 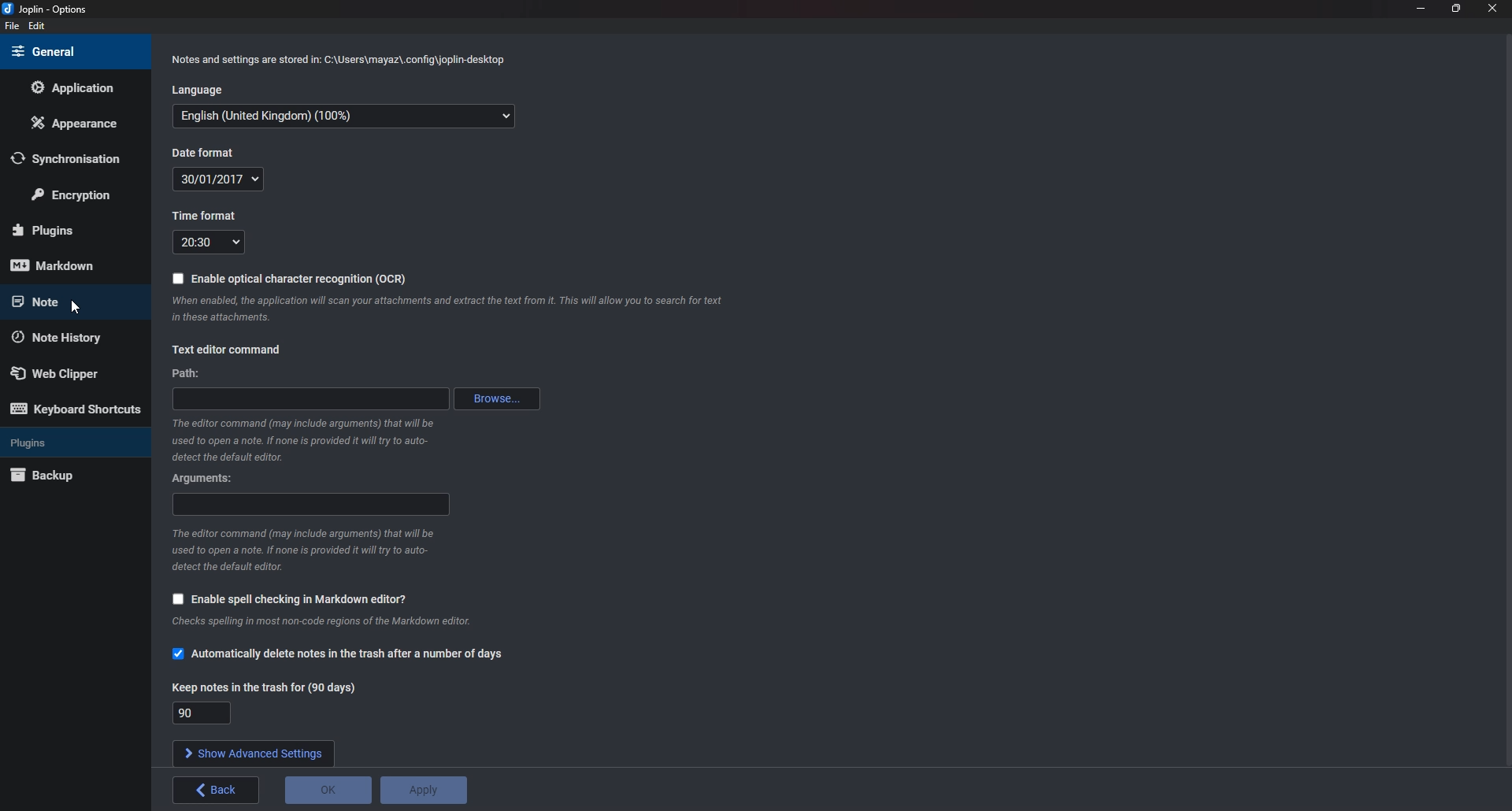 I want to click on Enable spell checking, so click(x=306, y=598).